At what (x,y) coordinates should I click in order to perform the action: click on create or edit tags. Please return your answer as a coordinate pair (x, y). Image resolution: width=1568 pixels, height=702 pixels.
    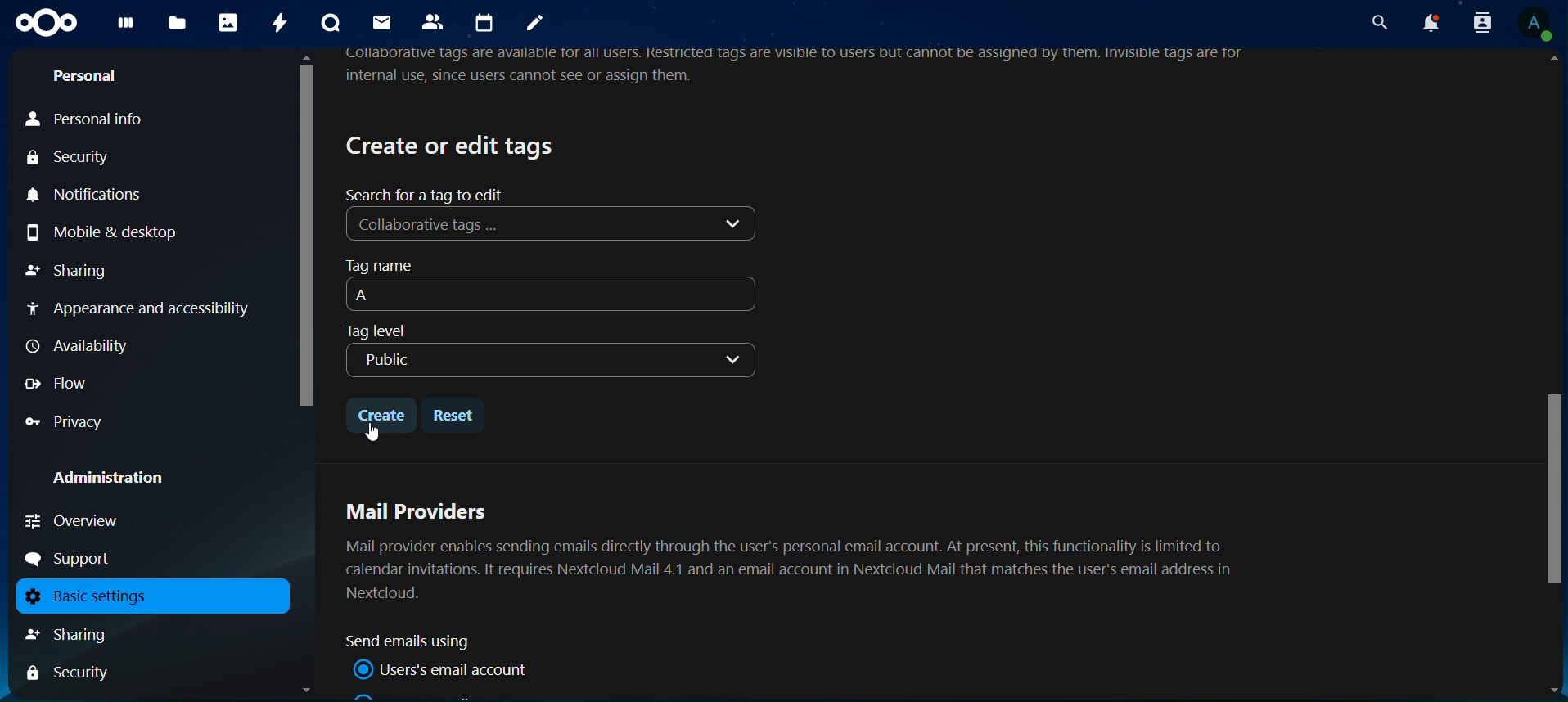
    Looking at the image, I should click on (453, 145).